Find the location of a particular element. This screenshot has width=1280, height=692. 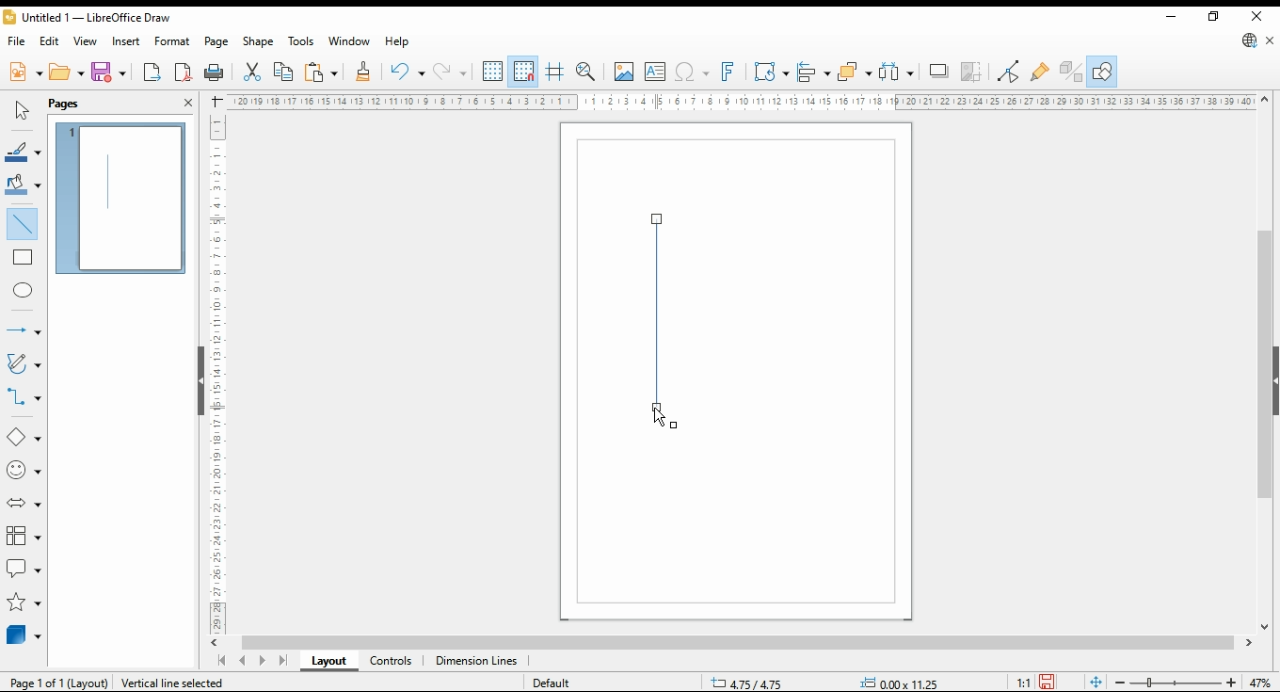

screen size is located at coordinates (752, 681).